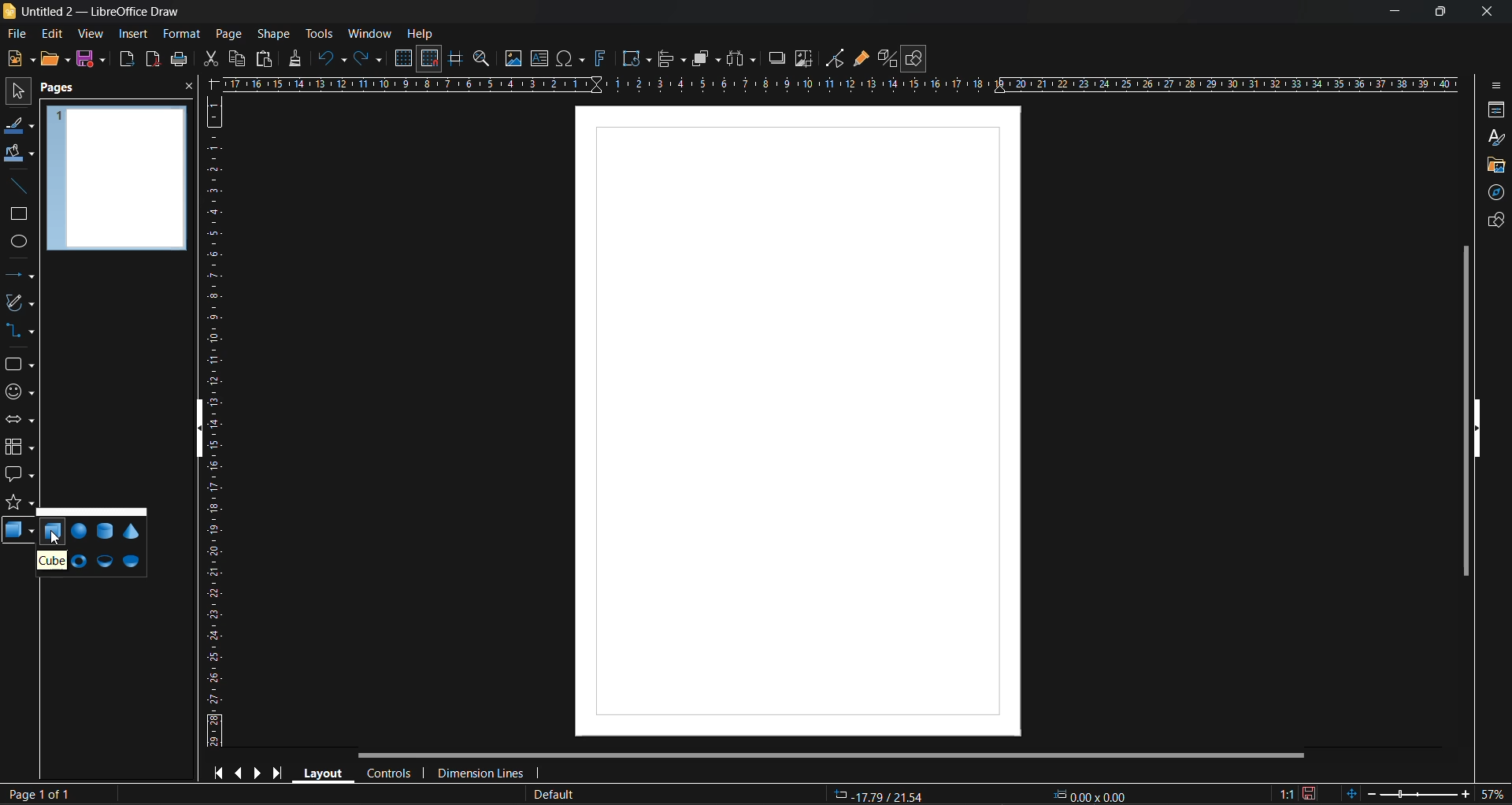 The image size is (1512, 805). Describe the element at coordinates (21, 60) in the screenshot. I see `new` at that location.